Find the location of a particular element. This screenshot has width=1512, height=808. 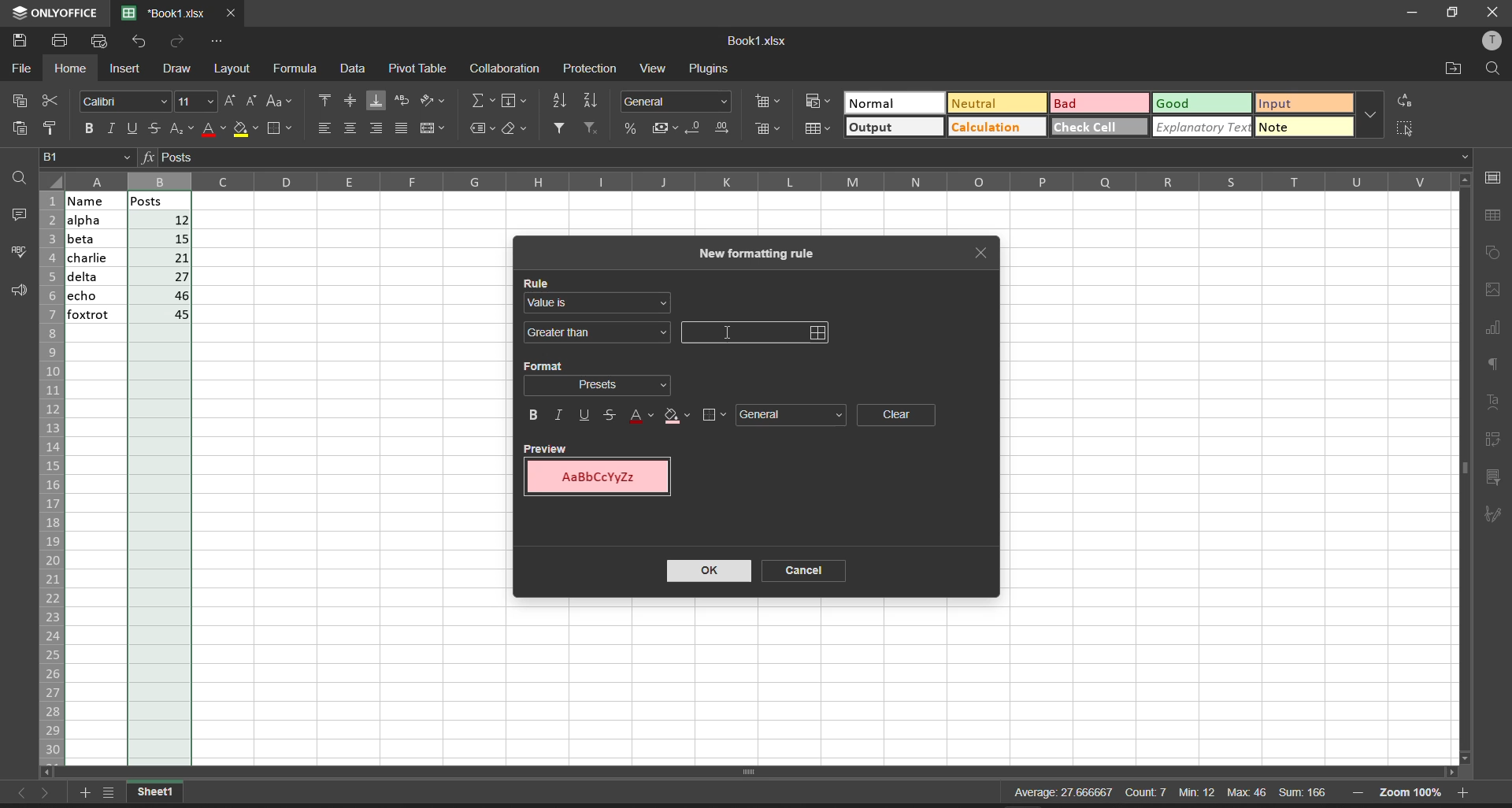

draw is located at coordinates (178, 68).